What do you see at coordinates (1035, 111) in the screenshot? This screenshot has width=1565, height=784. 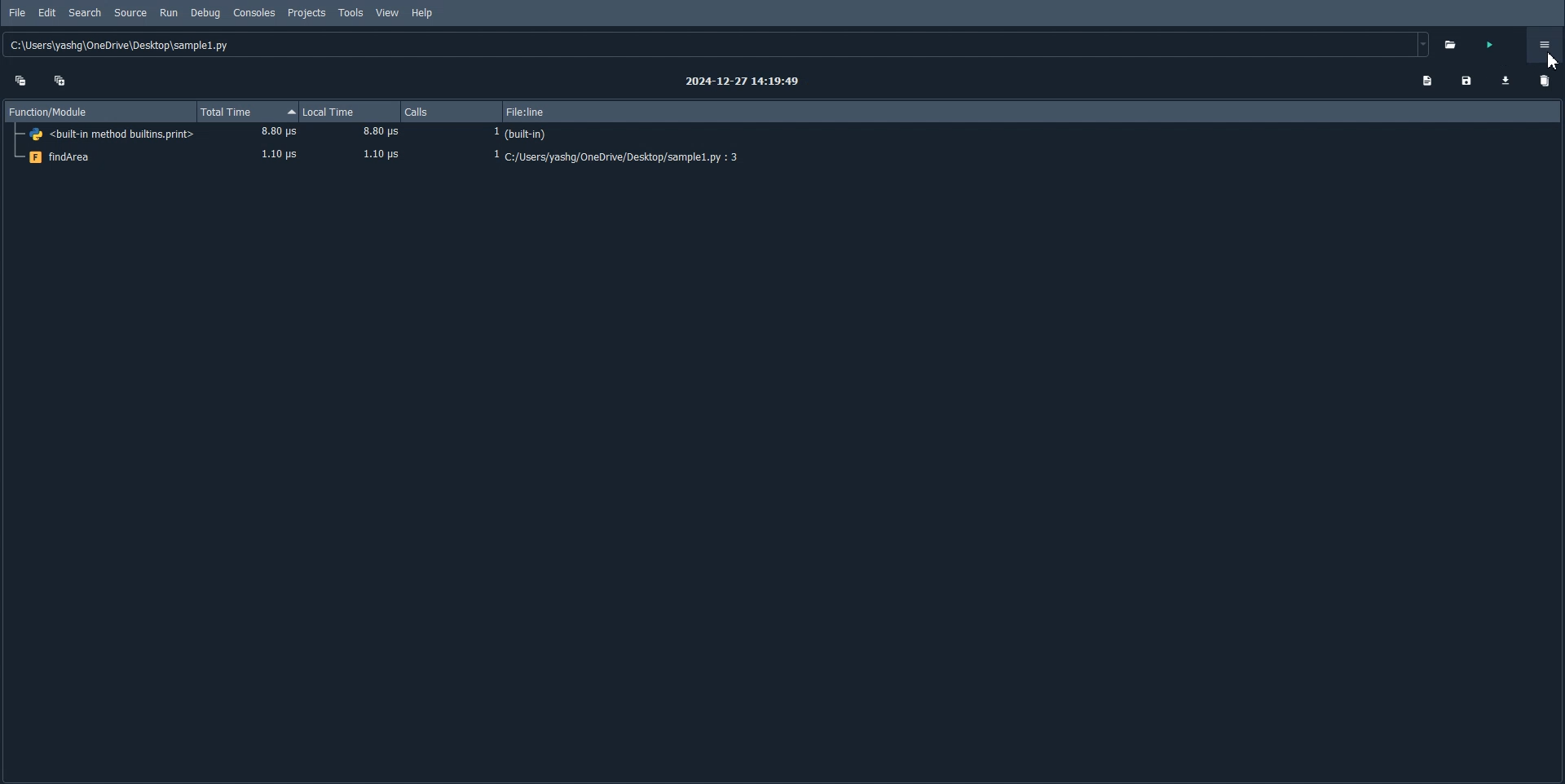 I see `File Line` at bounding box center [1035, 111].